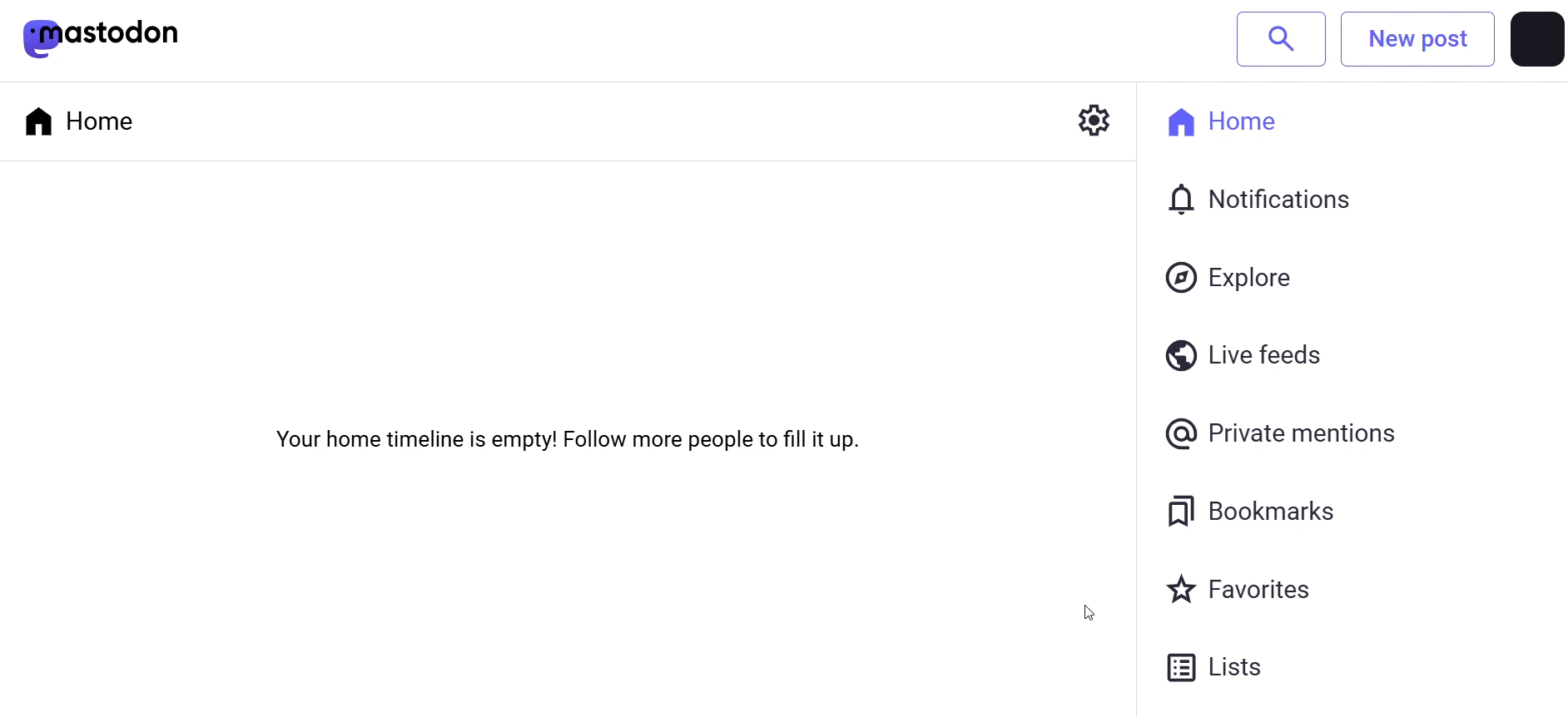  What do you see at coordinates (1250, 511) in the screenshot?
I see `bookmarks` at bounding box center [1250, 511].